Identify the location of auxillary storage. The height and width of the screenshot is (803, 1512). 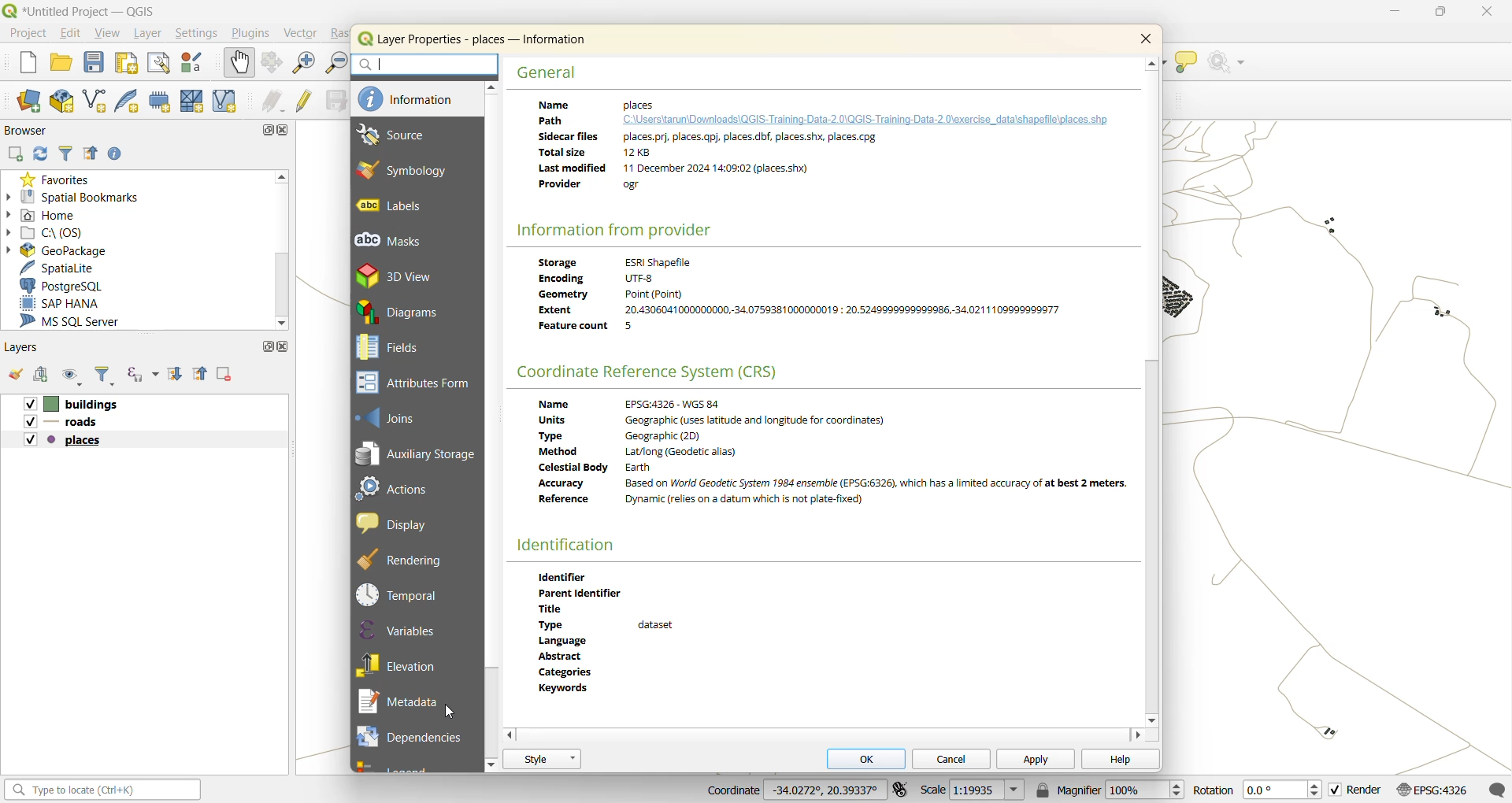
(416, 455).